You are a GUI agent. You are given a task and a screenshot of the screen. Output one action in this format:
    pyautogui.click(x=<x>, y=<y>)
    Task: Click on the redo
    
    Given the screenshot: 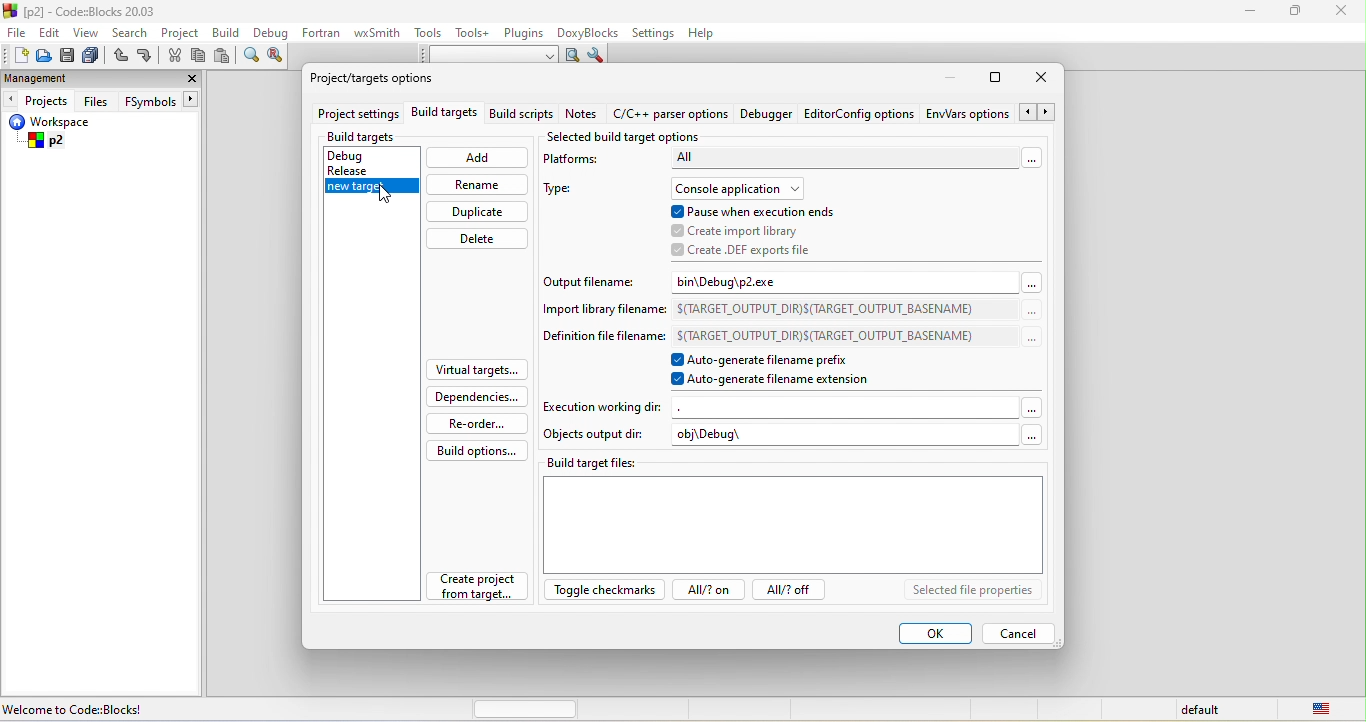 What is the action you would take?
    pyautogui.click(x=146, y=57)
    